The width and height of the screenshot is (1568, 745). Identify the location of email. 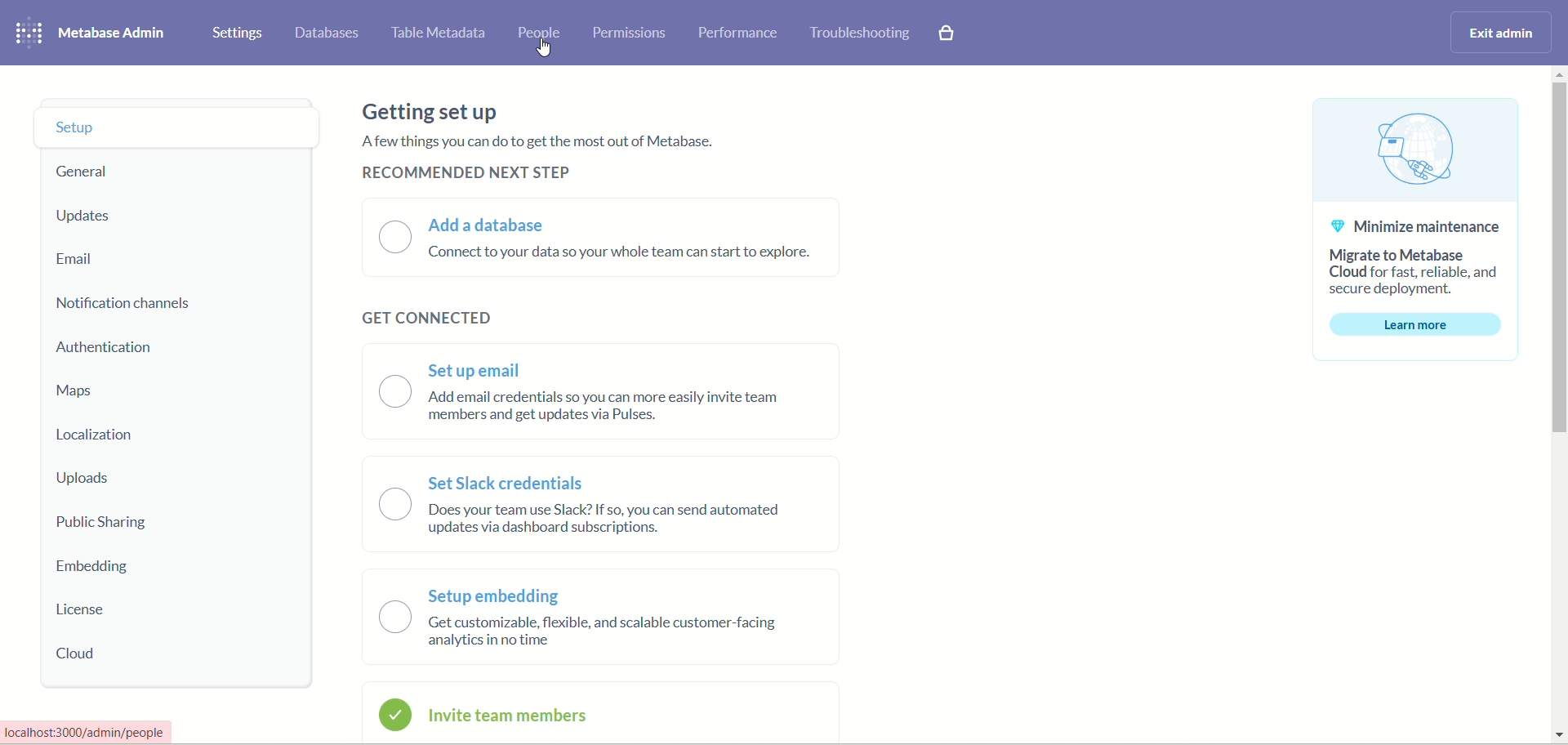
(80, 260).